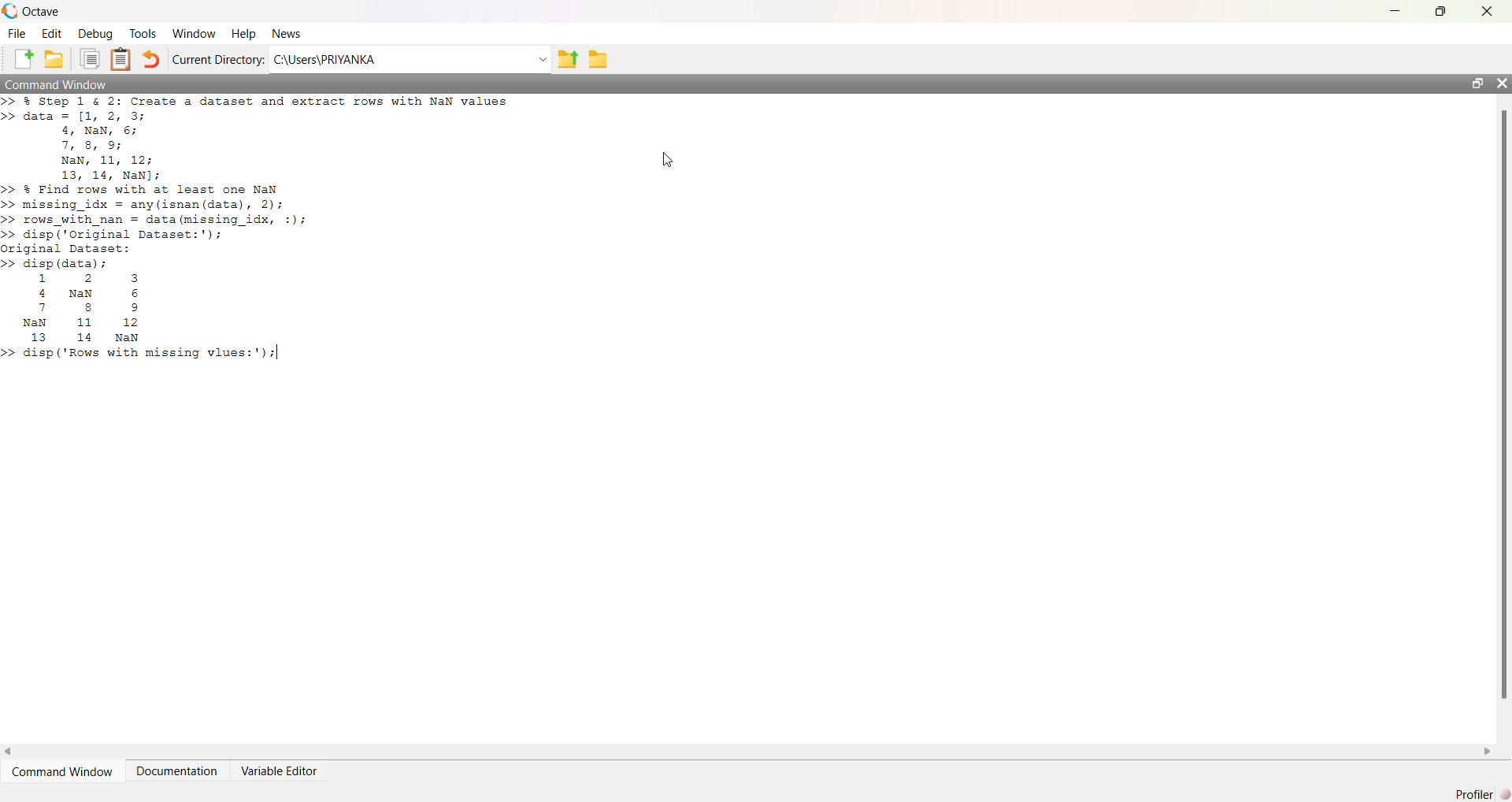 This screenshot has height=802, width=1512. I want to click on Octave, so click(41, 11).